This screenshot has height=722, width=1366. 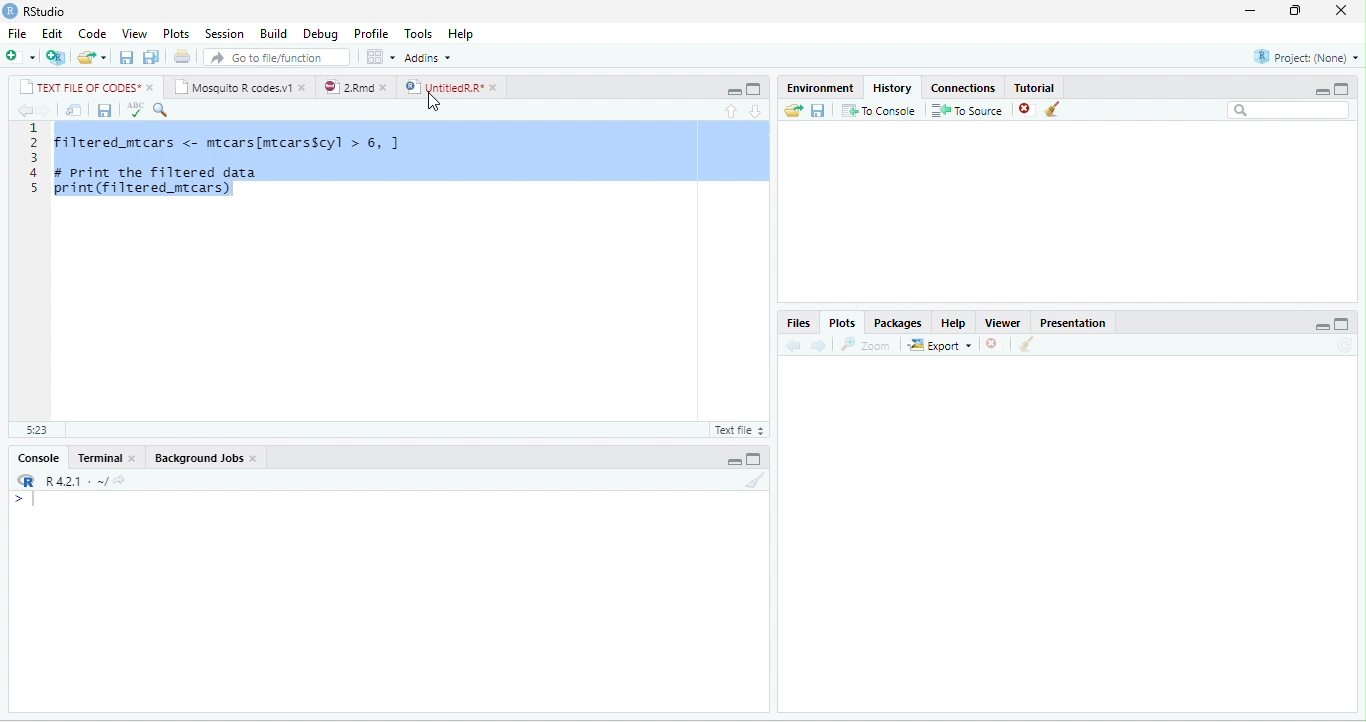 What do you see at coordinates (30, 499) in the screenshot?
I see `>` at bounding box center [30, 499].